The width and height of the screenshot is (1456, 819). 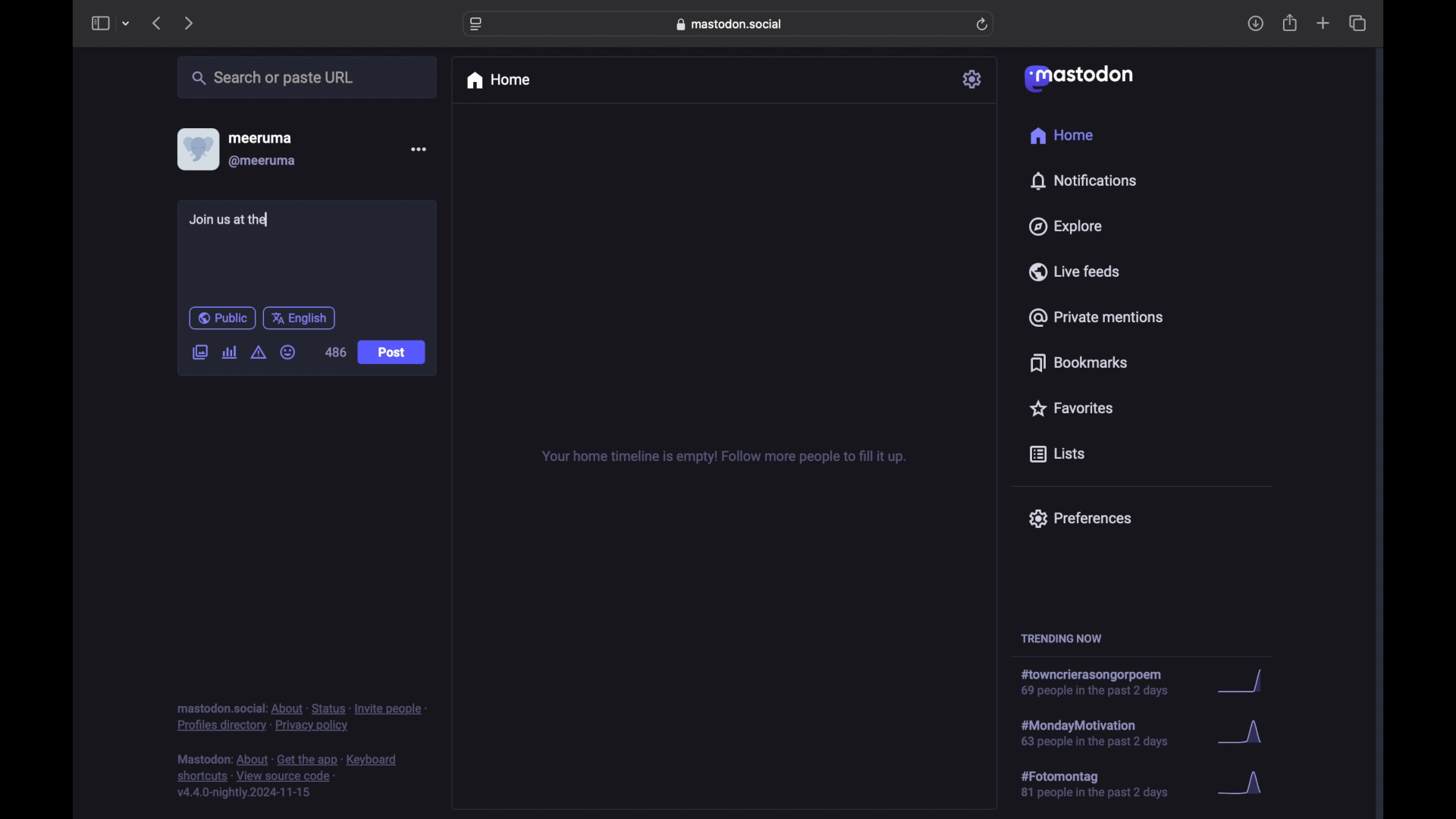 I want to click on web address, so click(x=733, y=24).